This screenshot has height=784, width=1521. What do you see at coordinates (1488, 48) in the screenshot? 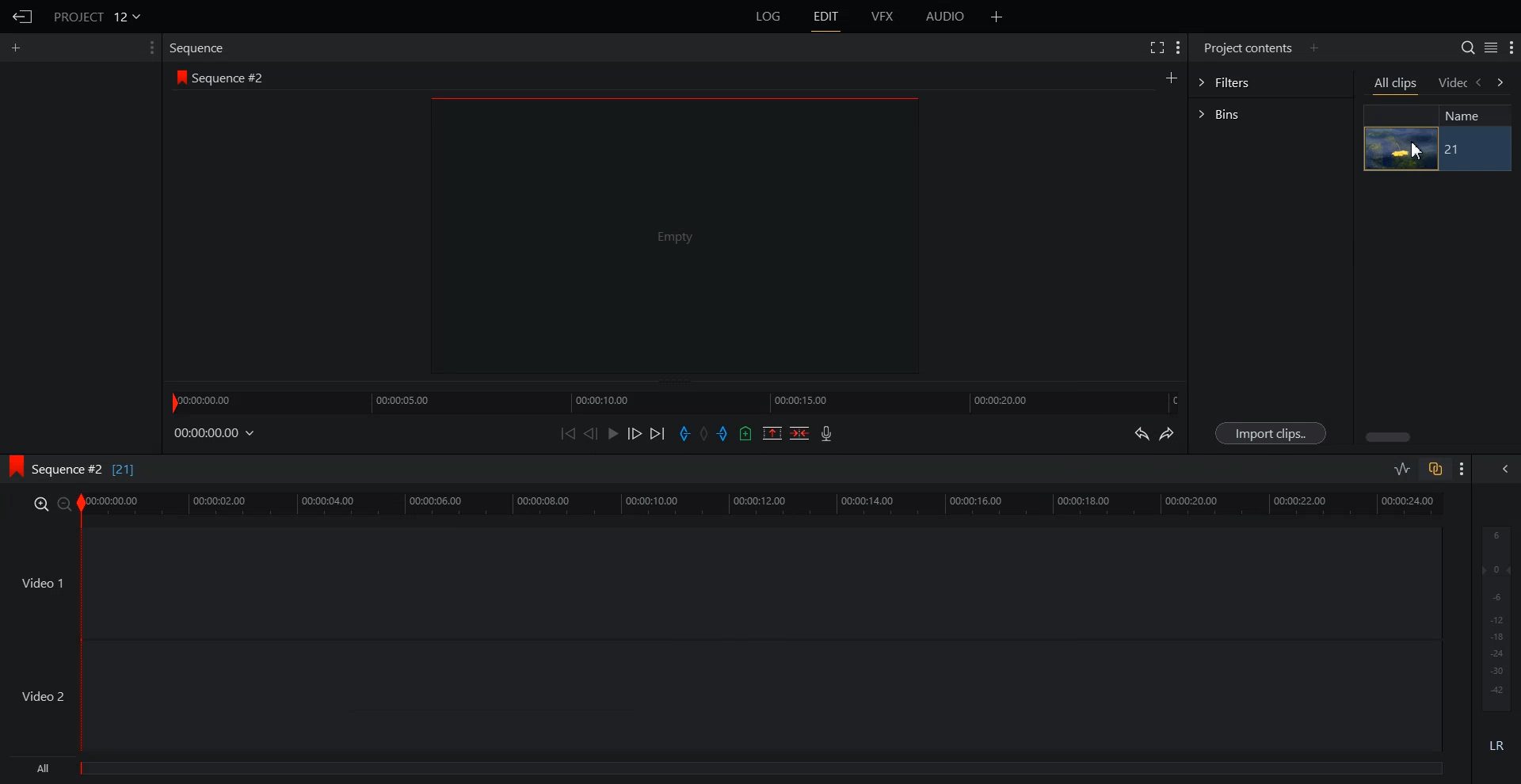
I see `Toggle between list and tile view` at bounding box center [1488, 48].